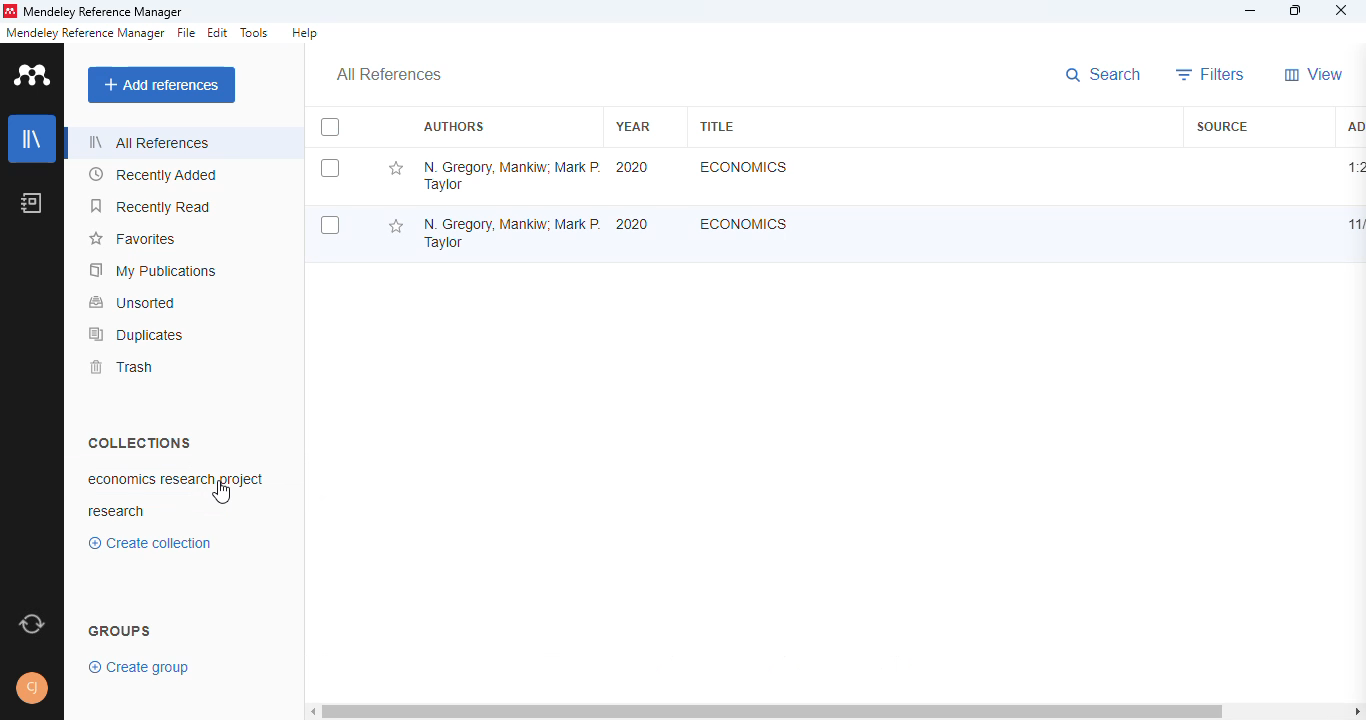 The width and height of the screenshot is (1366, 720). Describe the element at coordinates (154, 270) in the screenshot. I see `my publications` at that location.